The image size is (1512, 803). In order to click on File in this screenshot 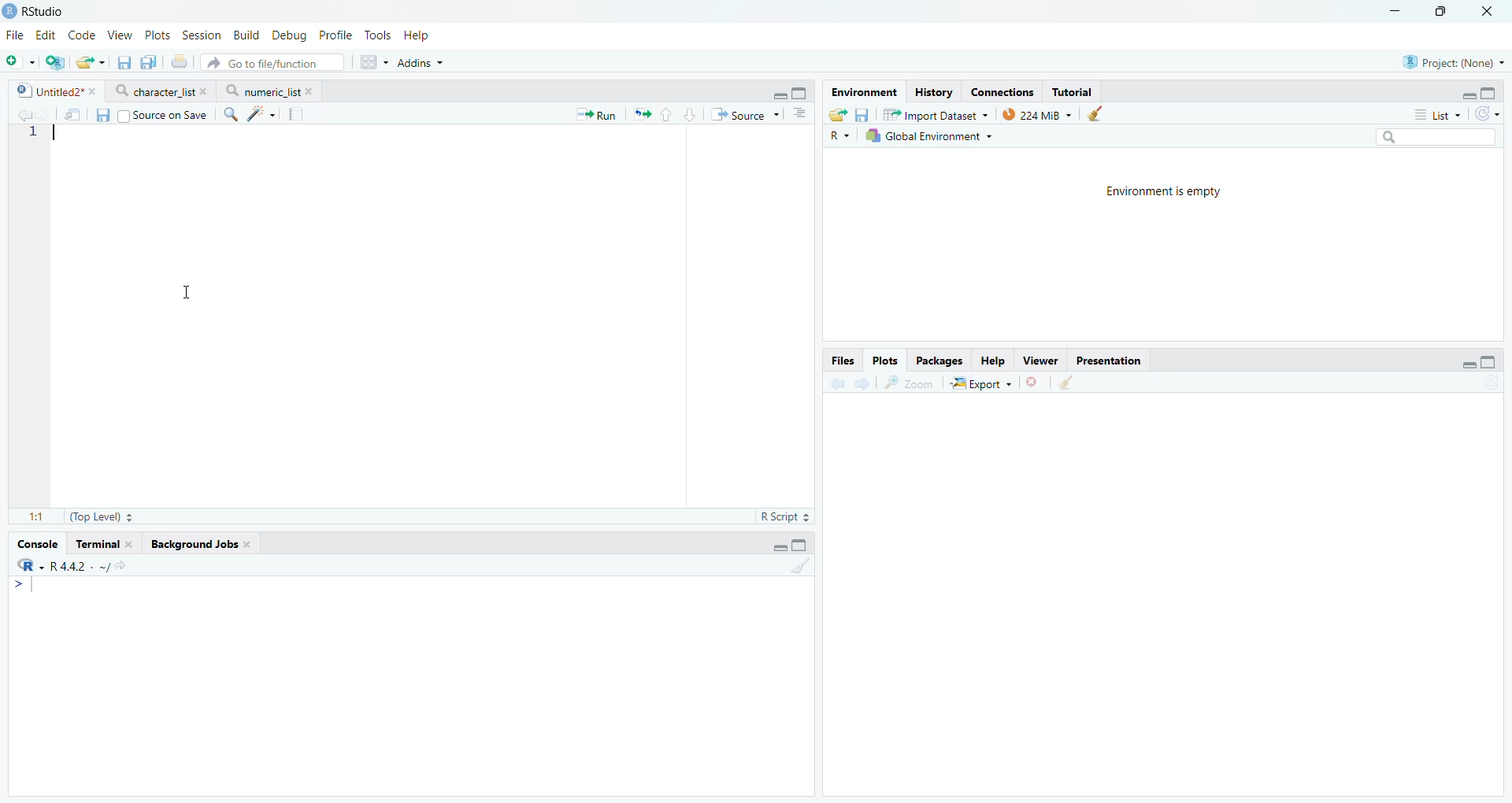, I will do `click(17, 35)`.